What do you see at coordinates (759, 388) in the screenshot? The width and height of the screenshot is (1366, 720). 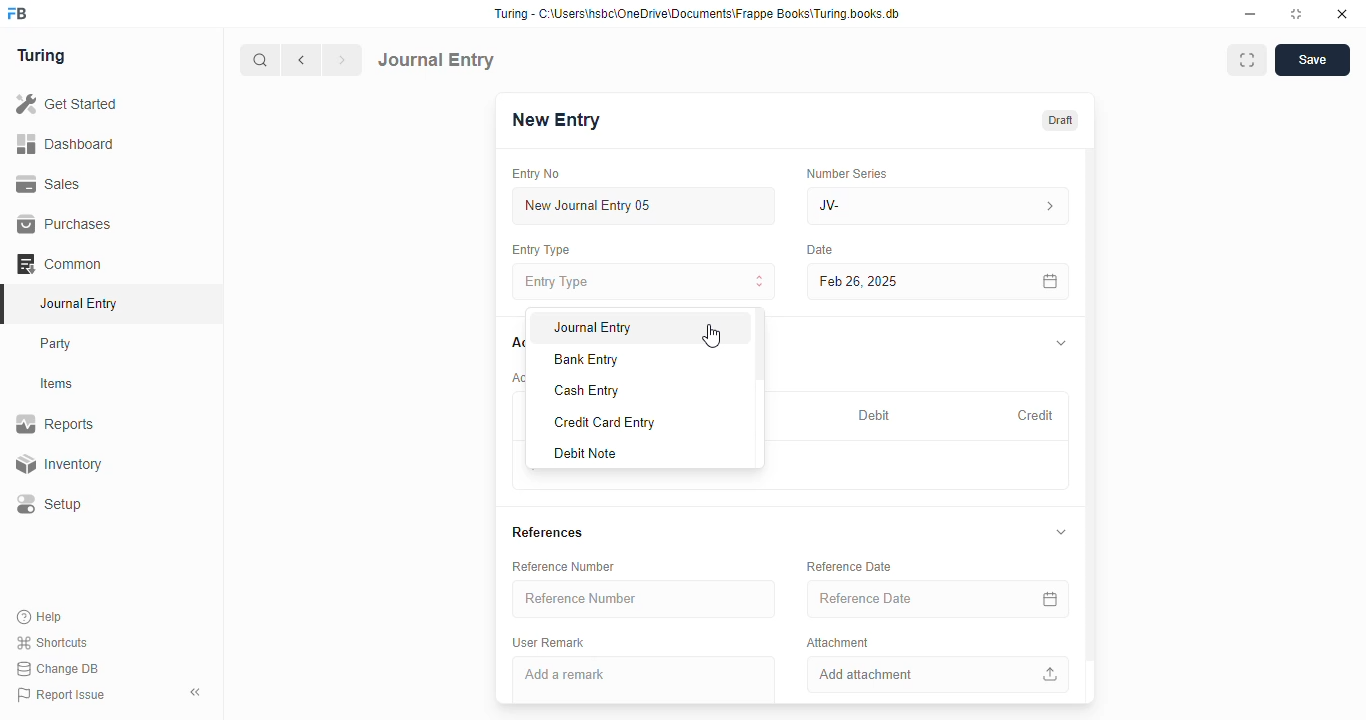 I see `scroll bar` at bounding box center [759, 388].